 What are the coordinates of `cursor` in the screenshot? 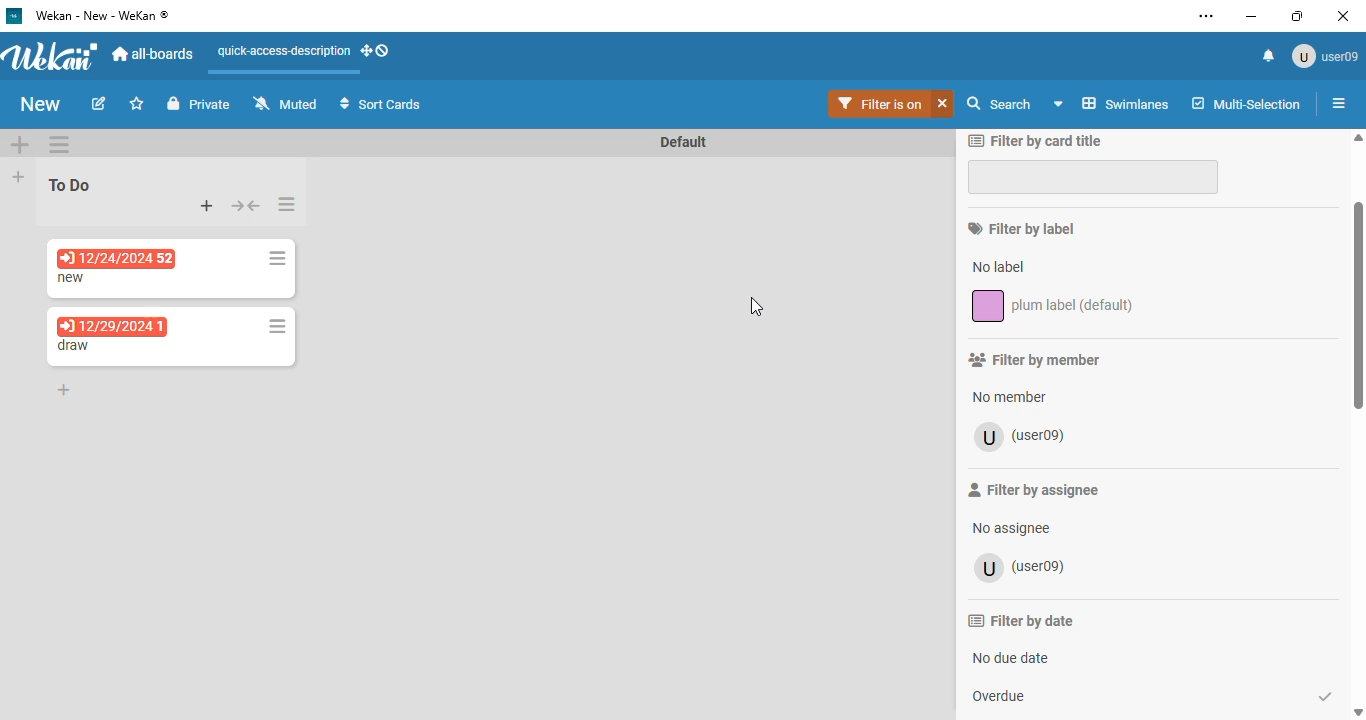 It's located at (757, 308).